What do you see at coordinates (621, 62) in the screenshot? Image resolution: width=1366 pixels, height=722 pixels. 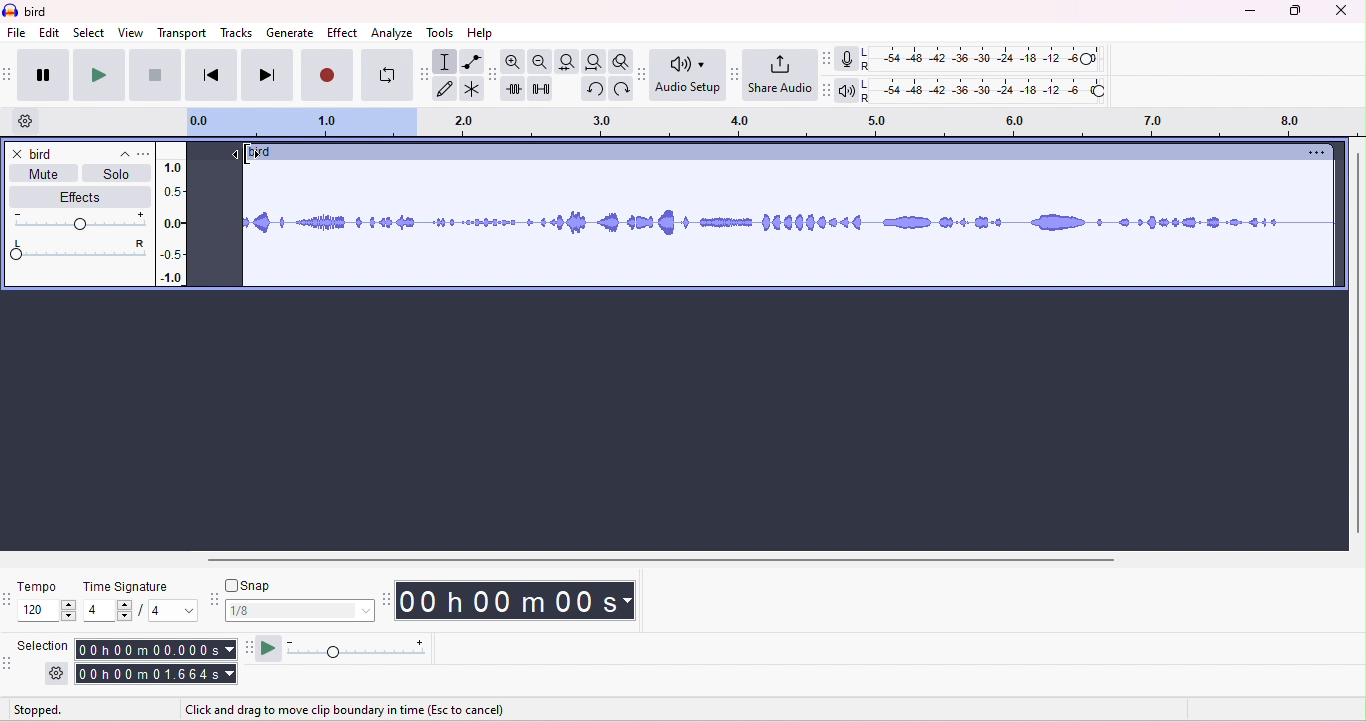 I see `toggle zoom` at bounding box center [621, 62].